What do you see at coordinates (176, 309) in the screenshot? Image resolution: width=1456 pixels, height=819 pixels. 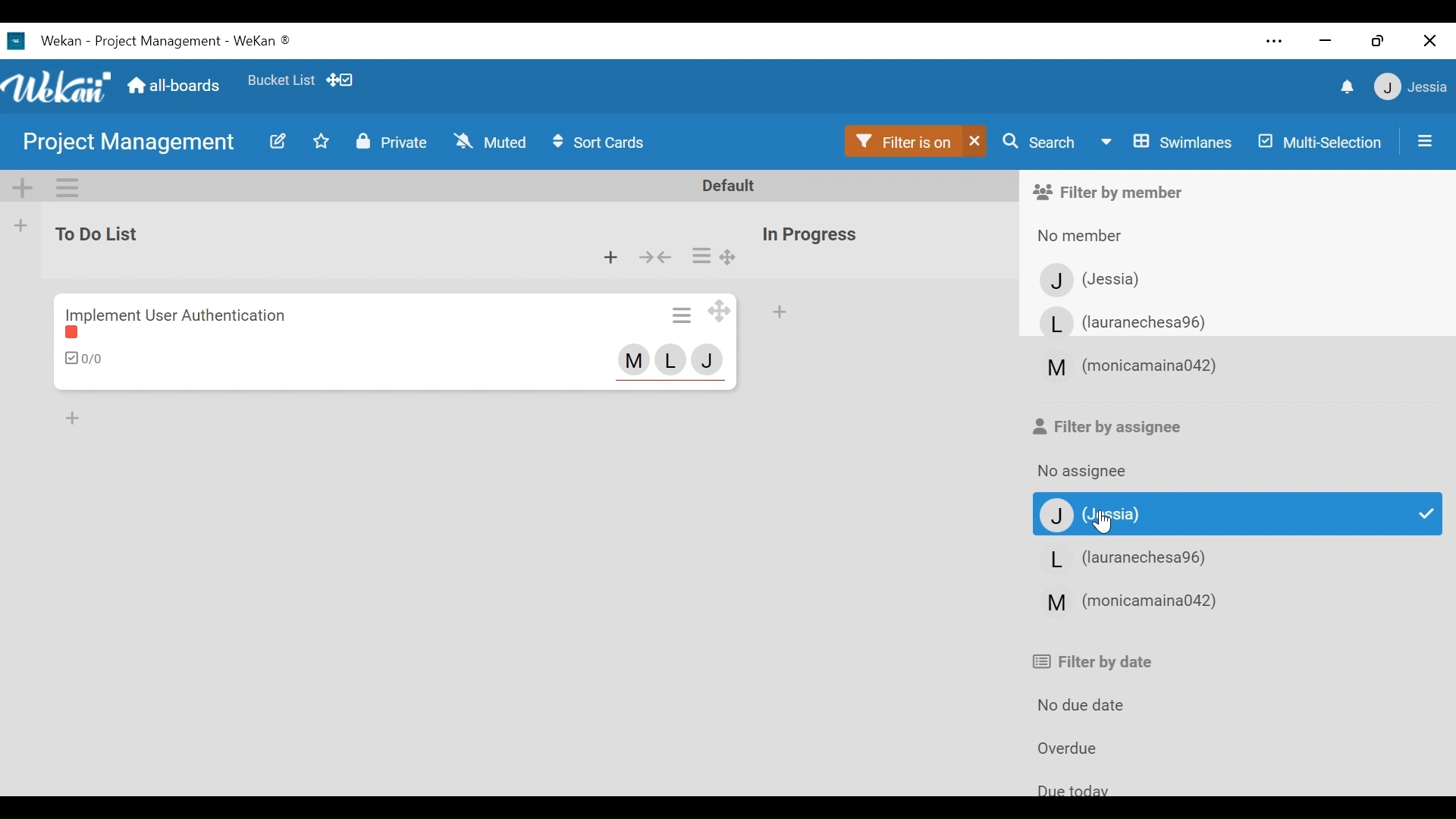 I see `Implement user authentication` at bounding box center [176, 309].